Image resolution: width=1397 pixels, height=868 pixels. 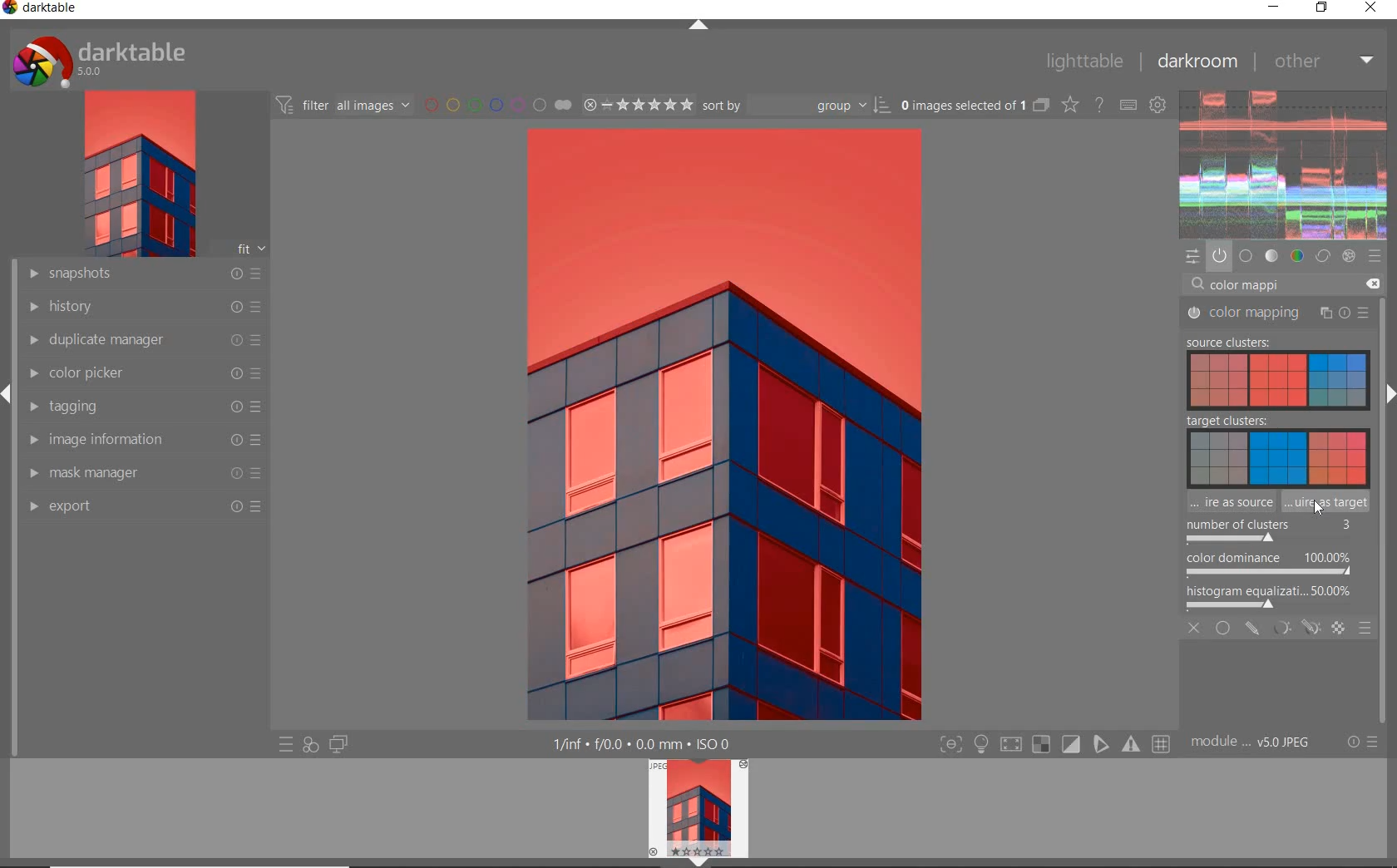 What do you see at coordinates (1284, 165) in the screenshot?
I see `wave form` at bounding box center [1284, 165].